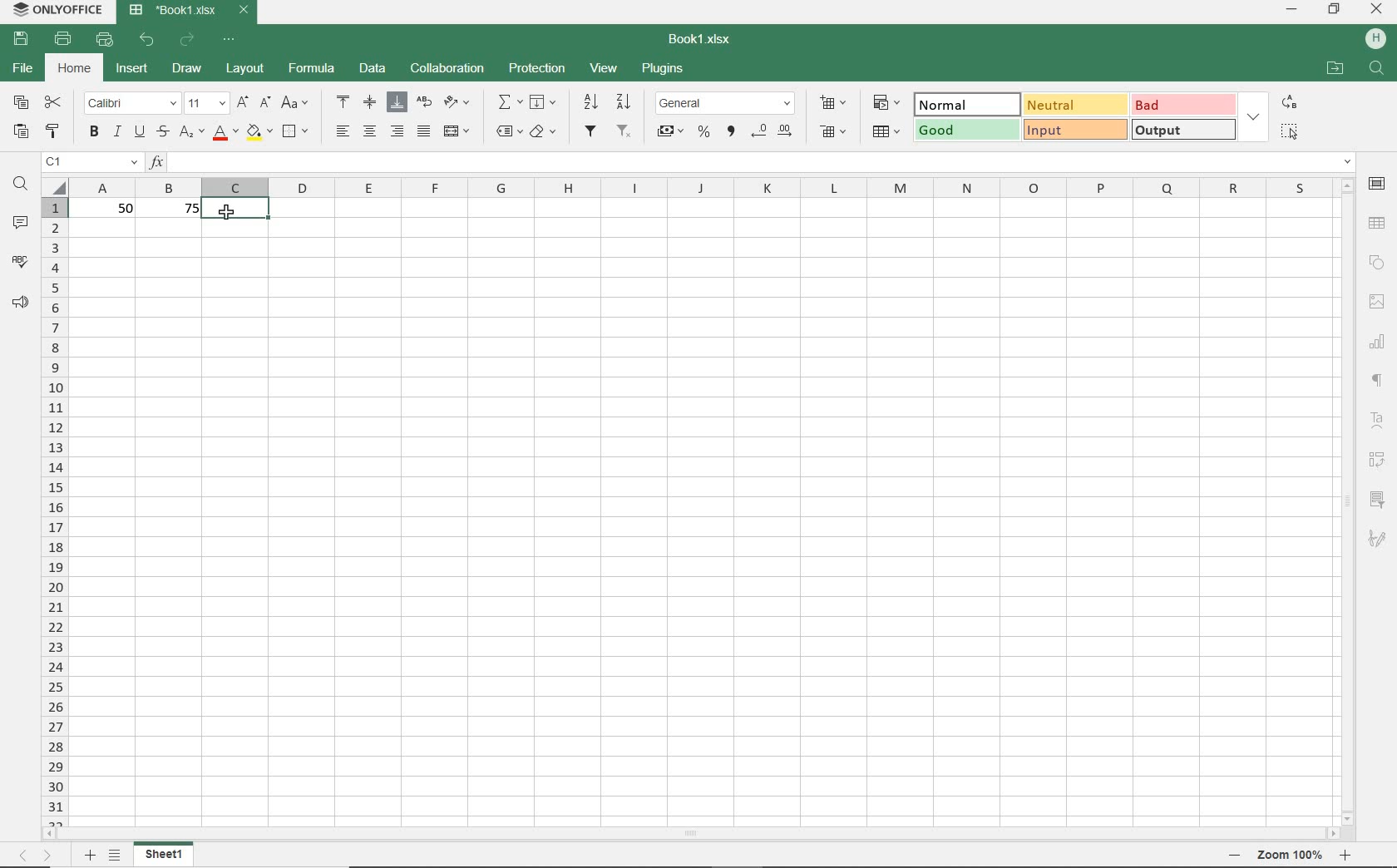 The width and height of the screenshot is (1397, 868). I want to click on fill color, so click(259, 133).